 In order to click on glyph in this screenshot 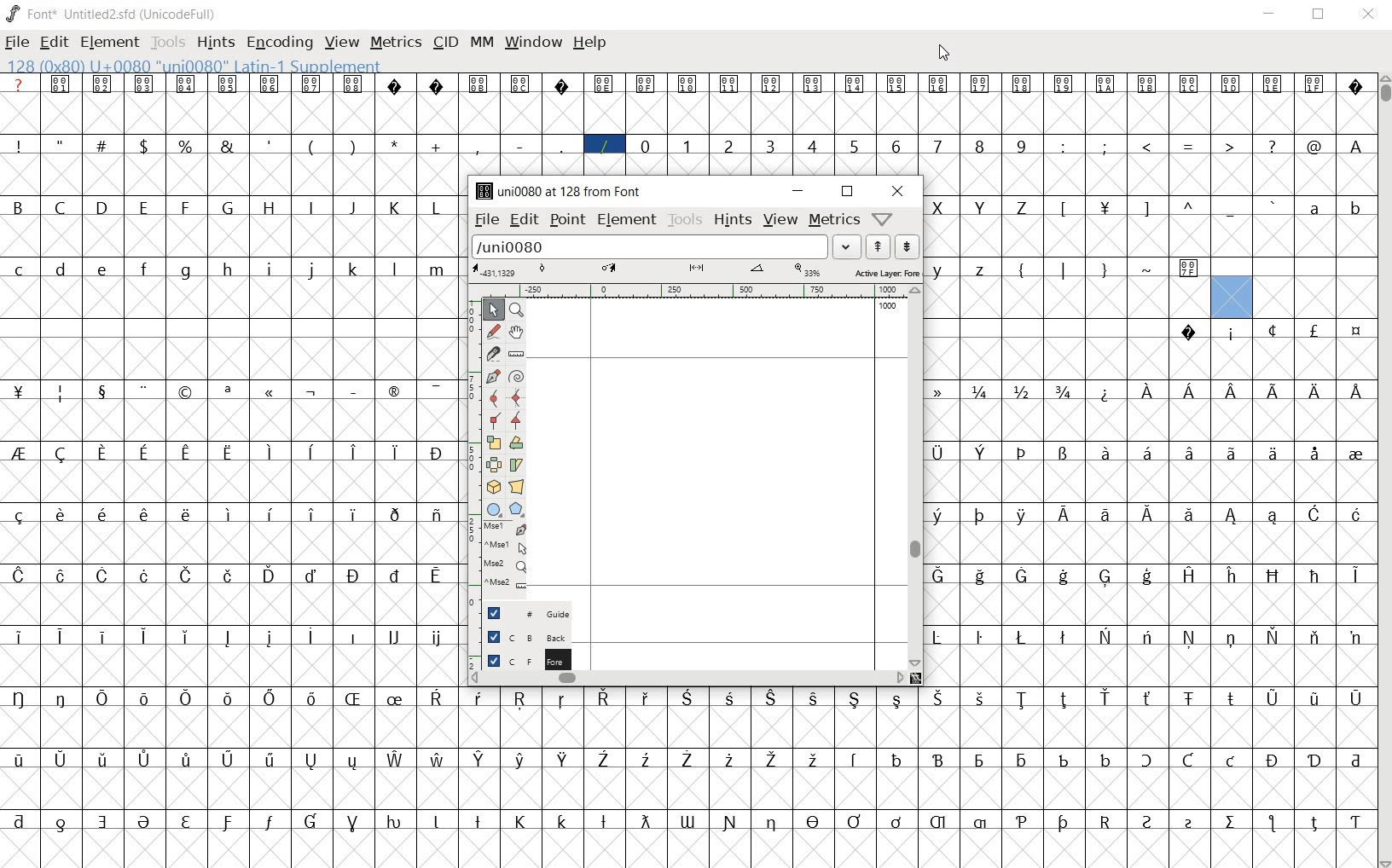, I will do `click(476, 147)`.